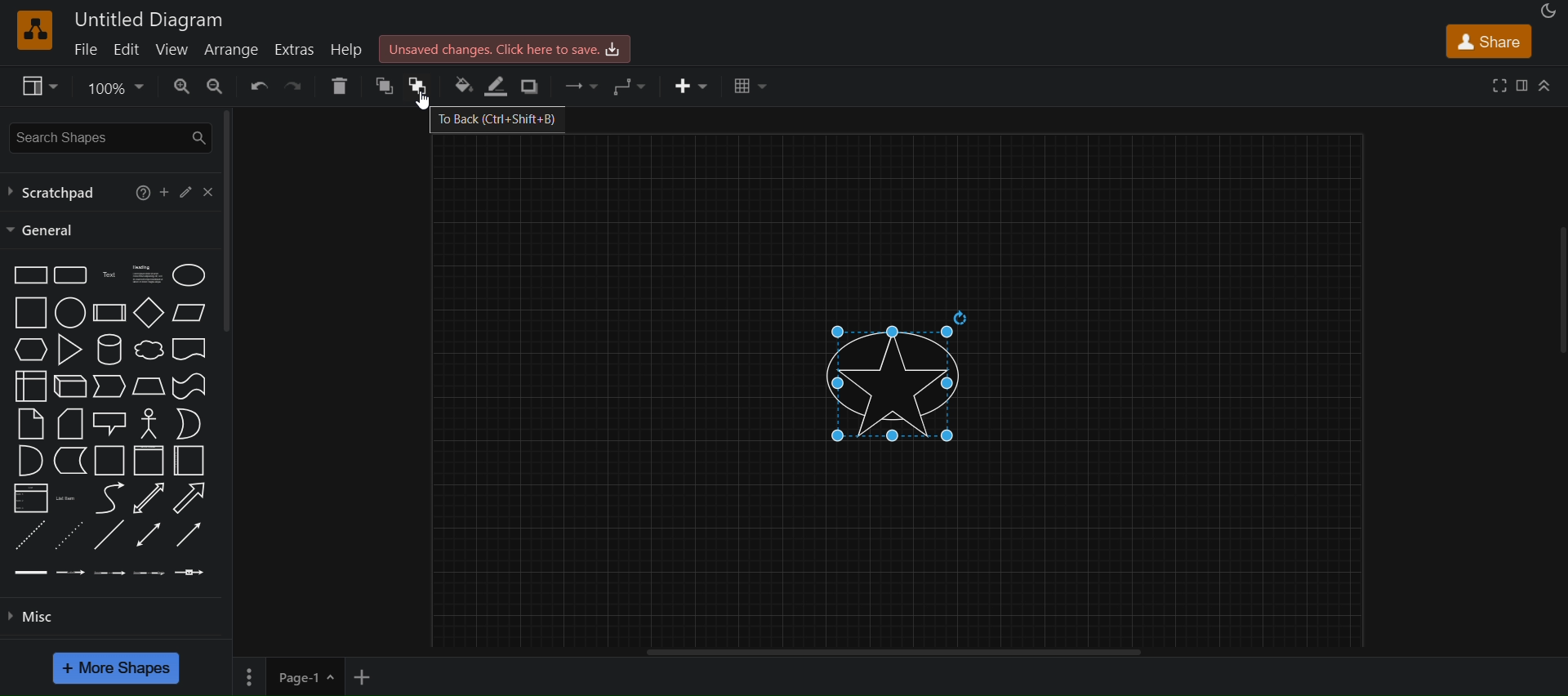  I want to click on vertical scroll bar, so click(225, 225).